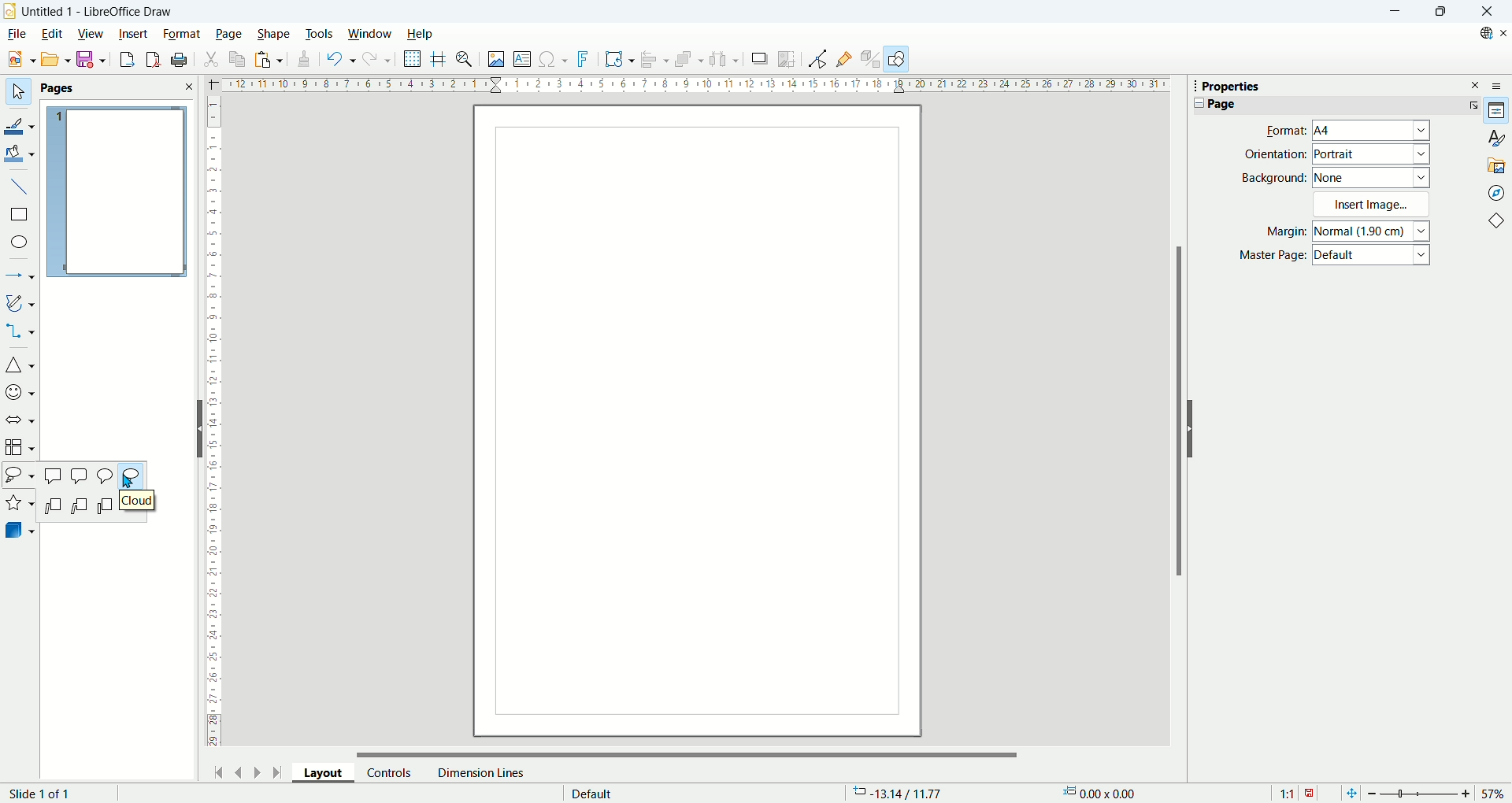  What do you see at coordinates (123, 59) in the screenshot?
I see `export` at bounding box center [123, 59].